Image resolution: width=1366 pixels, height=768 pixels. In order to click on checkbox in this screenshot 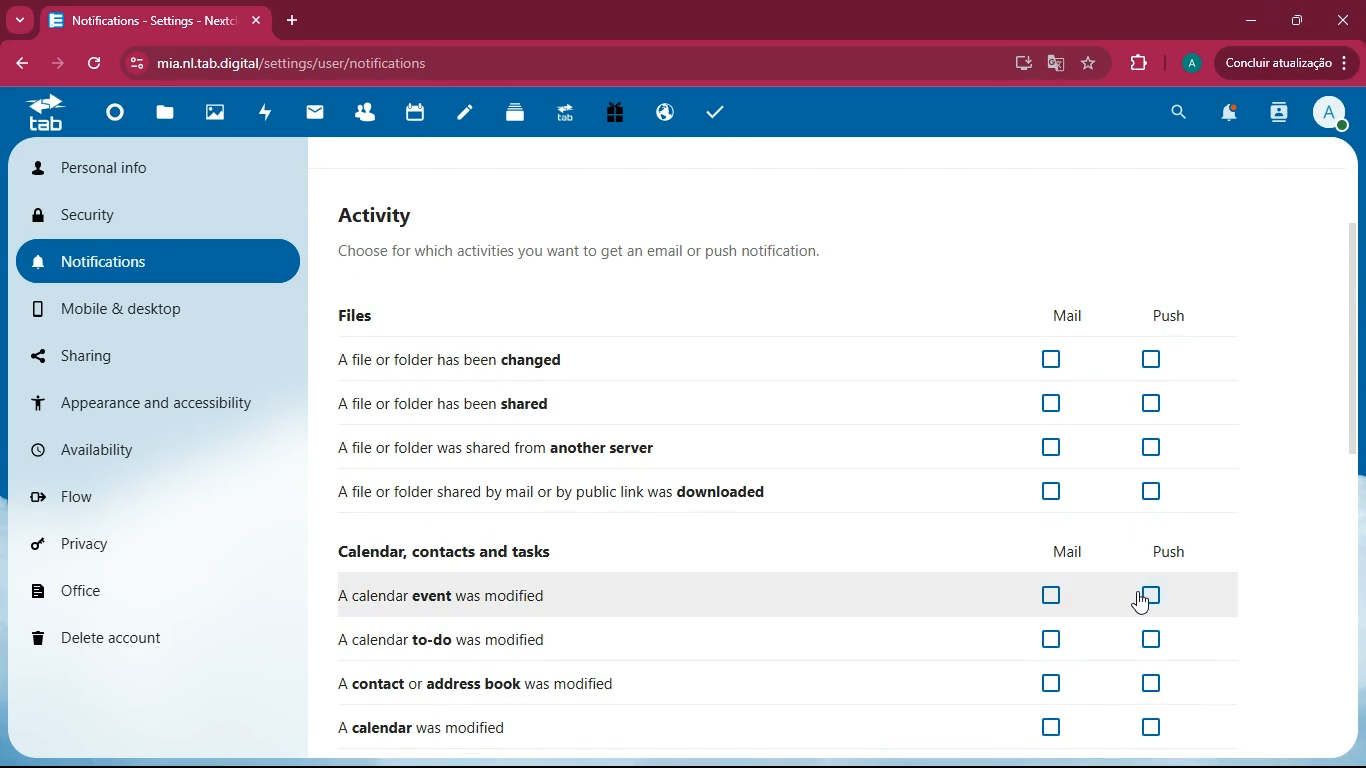, I will do `click(1052, 491)`.